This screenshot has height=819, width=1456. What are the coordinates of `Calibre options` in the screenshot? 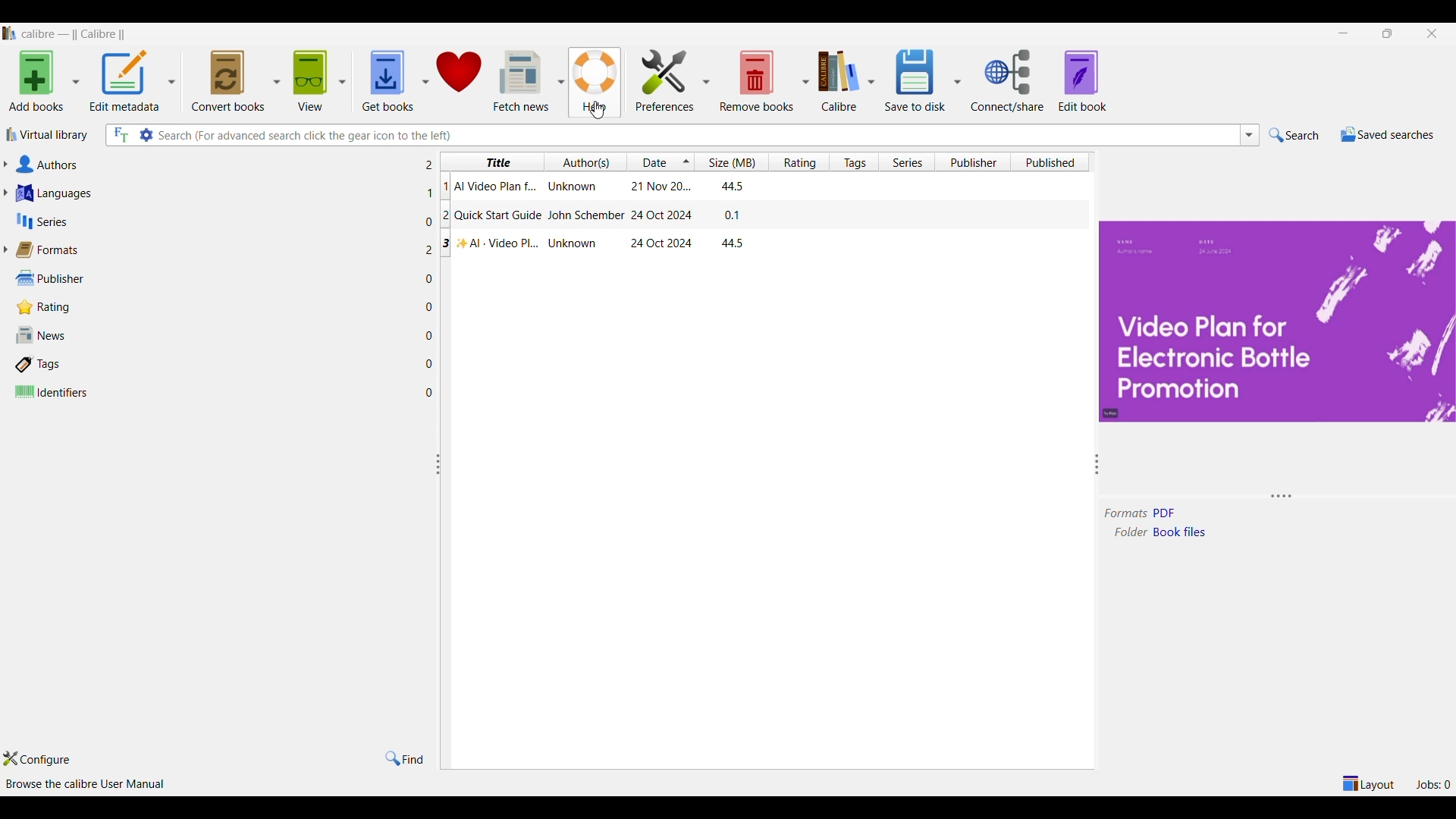 It's located at (870, 80).